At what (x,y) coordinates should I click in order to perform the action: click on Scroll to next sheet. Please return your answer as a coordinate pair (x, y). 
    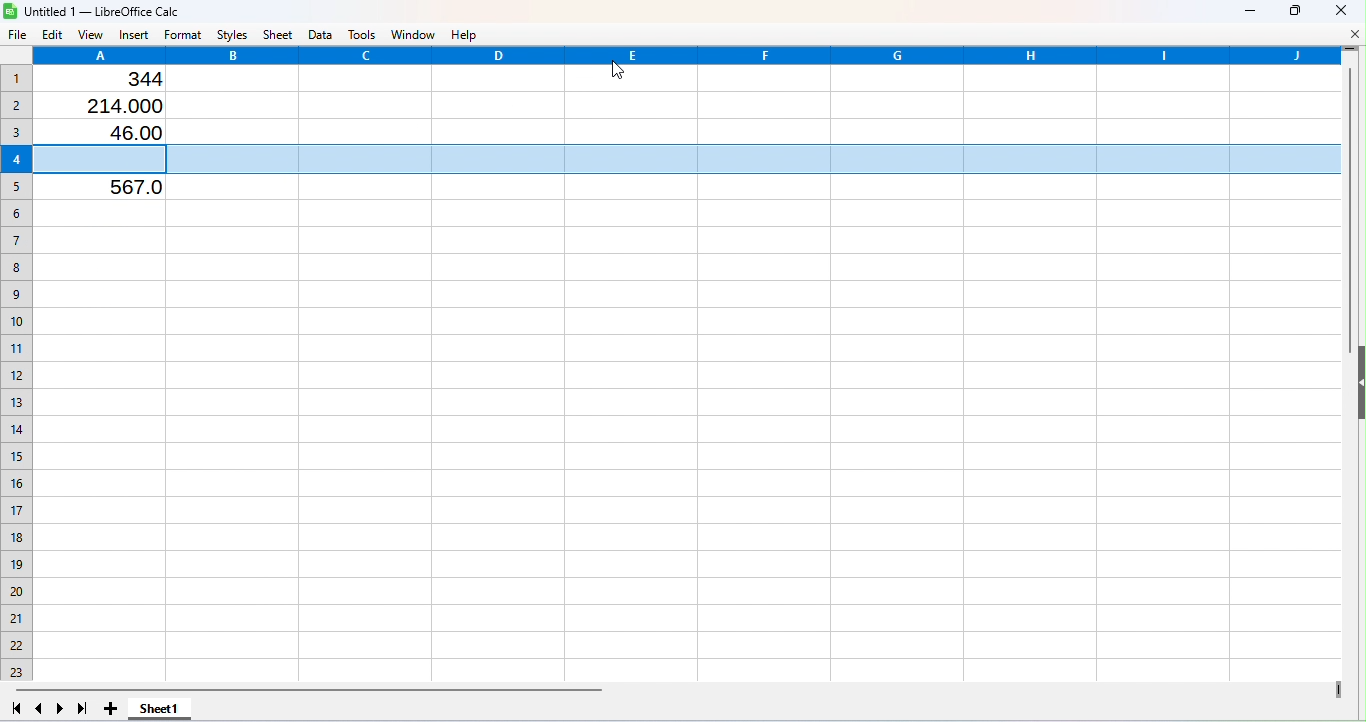
    Looking at the image, I should click on (61, 709).